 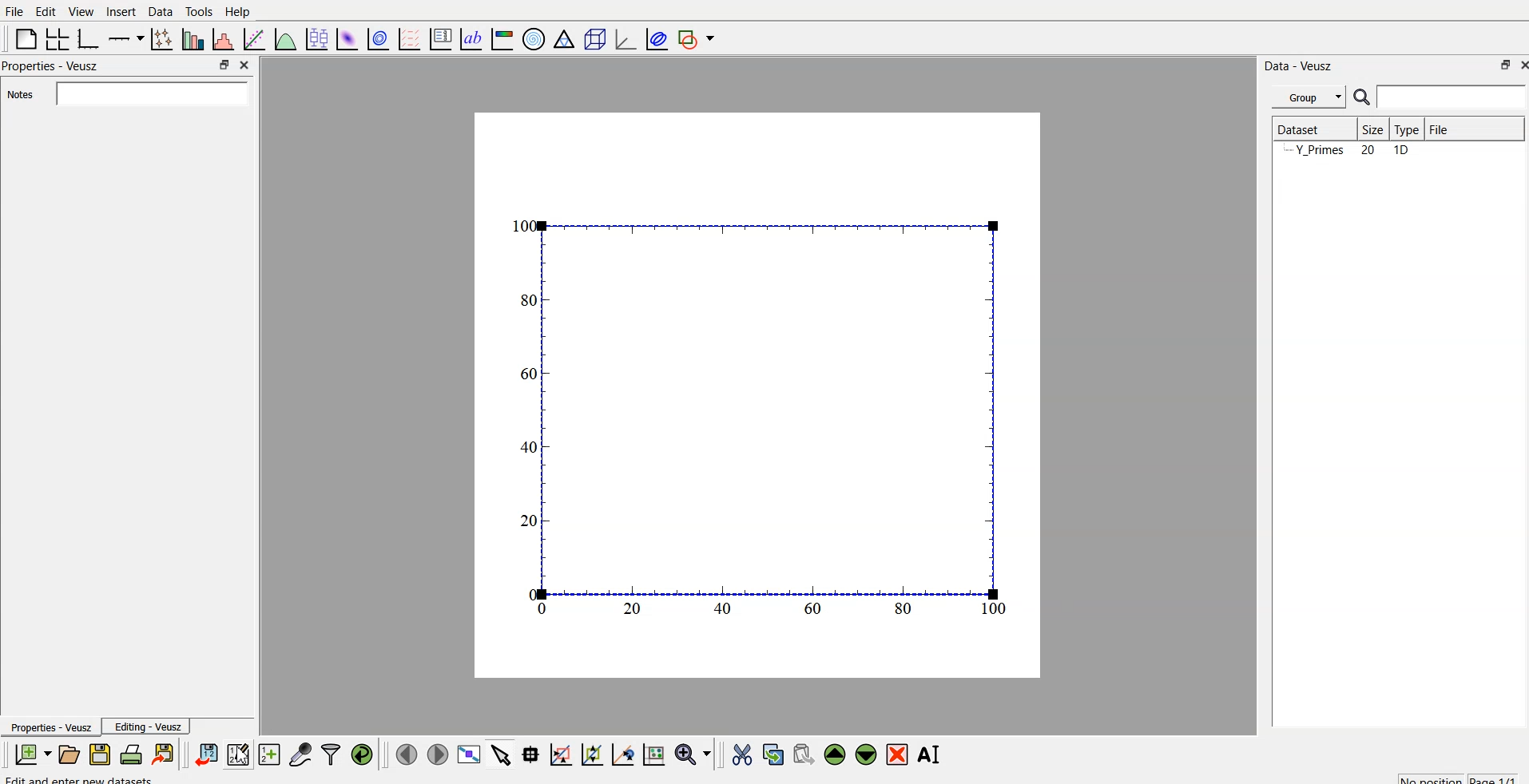 I want to click on select items from graph, so click(x=502, y=754).